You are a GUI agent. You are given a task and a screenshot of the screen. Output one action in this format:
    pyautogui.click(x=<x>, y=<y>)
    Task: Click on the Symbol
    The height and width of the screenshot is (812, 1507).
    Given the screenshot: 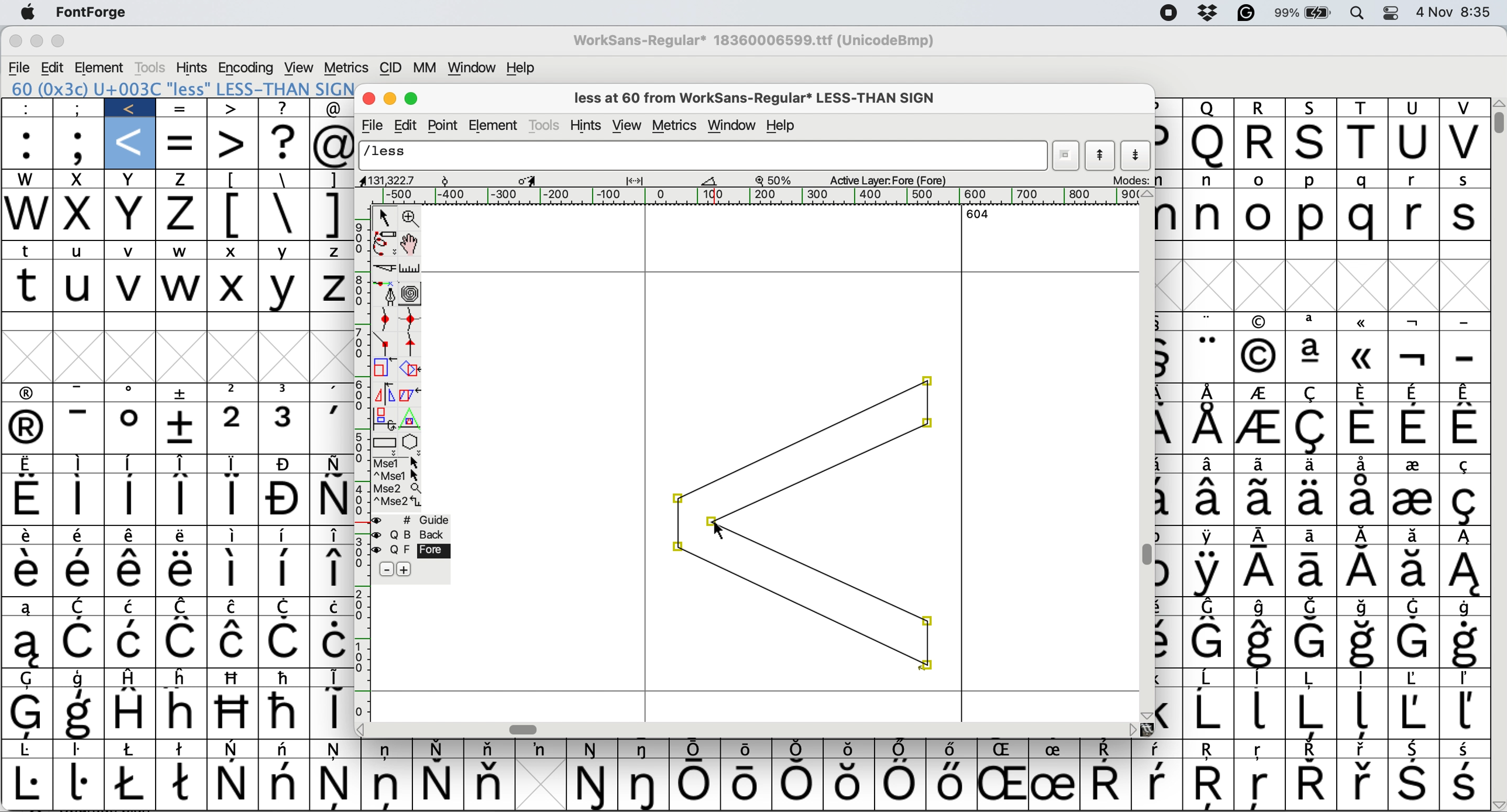 What is the action you would take?
    pyautogui.click(x=234, y=642)
    